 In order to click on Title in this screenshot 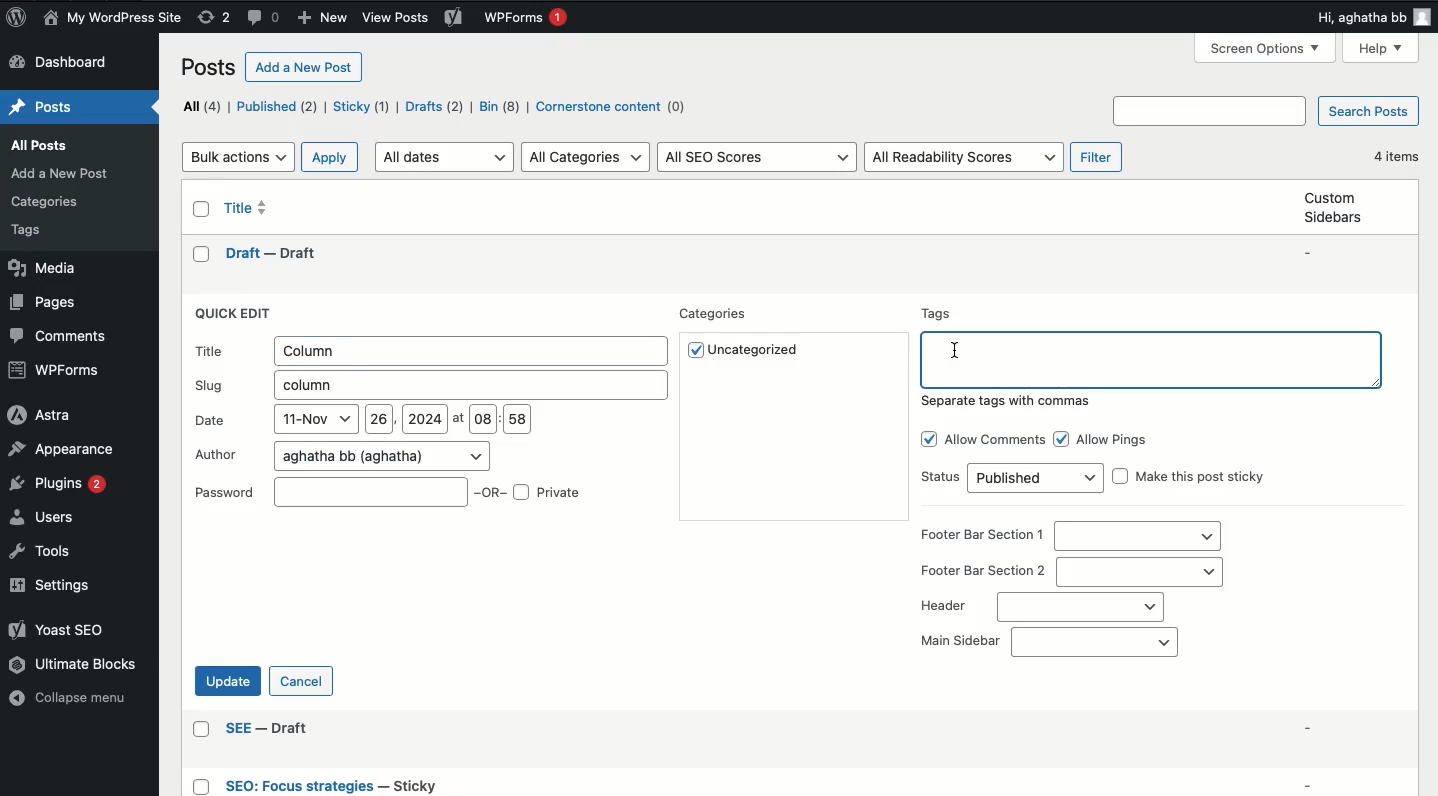, I will do `click(430, 350)`.